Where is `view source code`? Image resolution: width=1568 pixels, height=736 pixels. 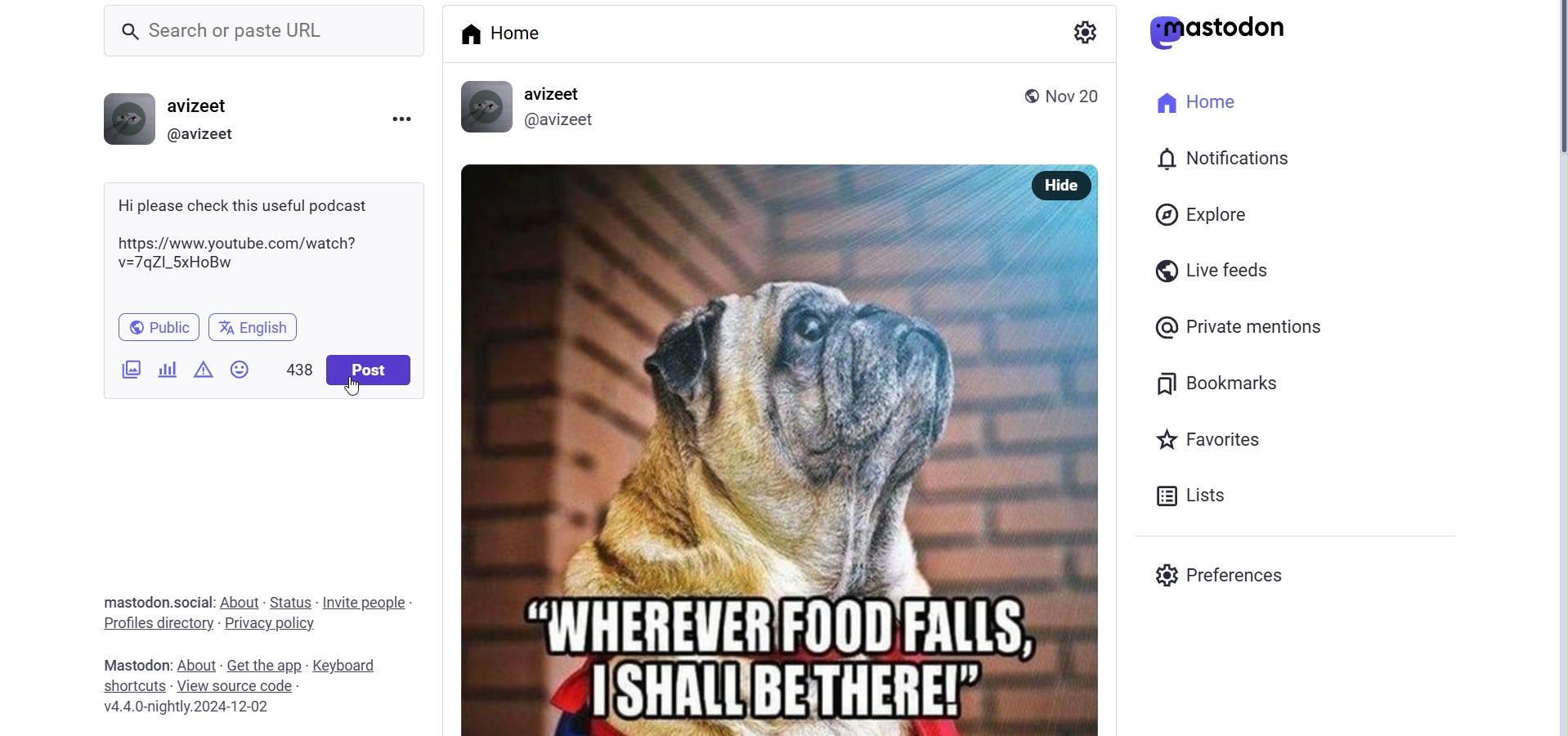
view source code is located at coordinates (240, 685).